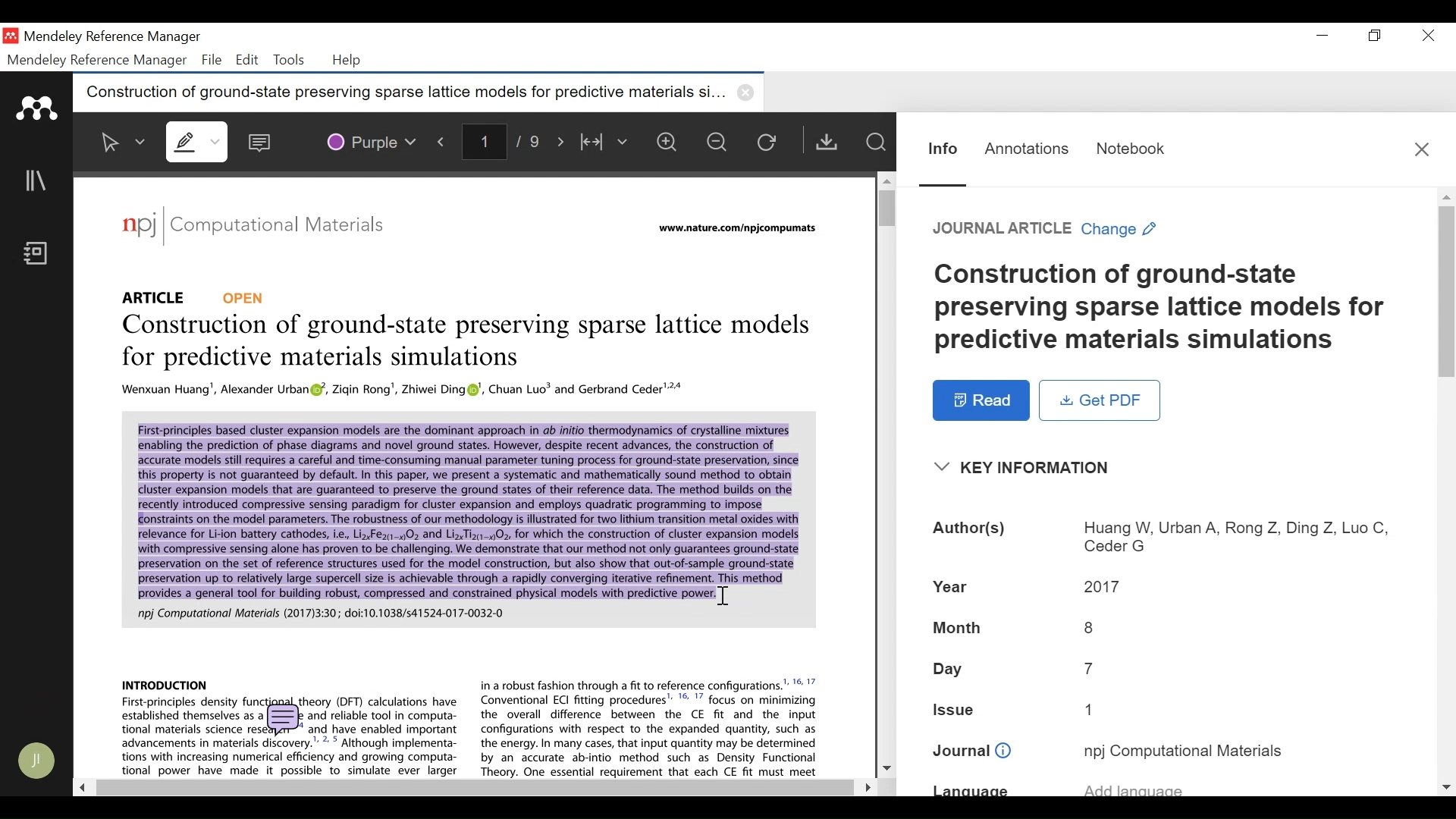 The width and height of the screenshot is (1456, 819). I want to click on Scroll up, so click(1446, 196).